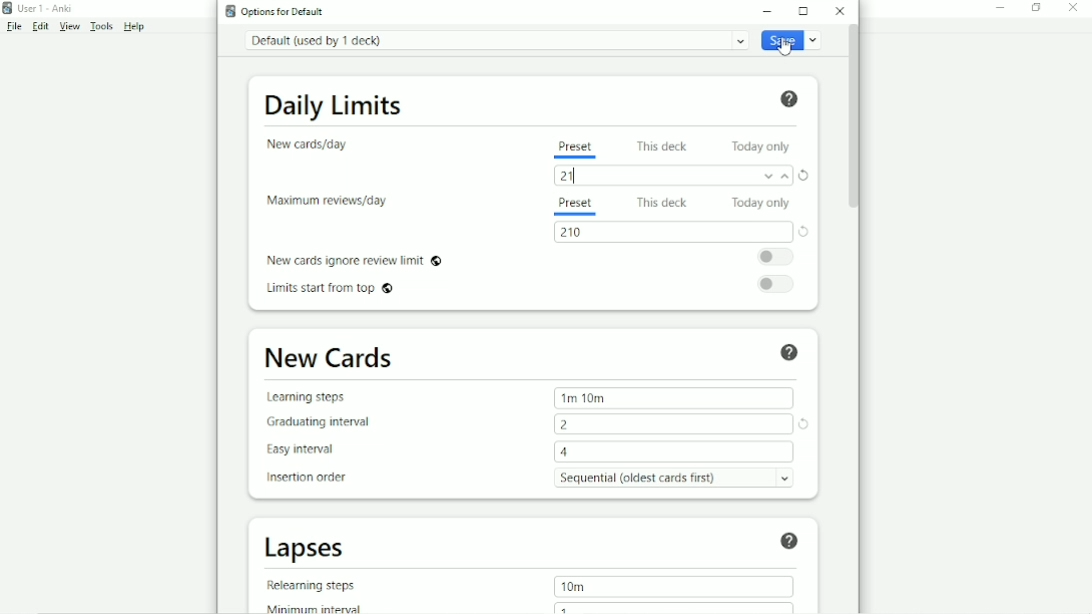 The height and width of the screenshot is (614, 1092). I want to click on Vertical scrollbar, so click(857, 119).